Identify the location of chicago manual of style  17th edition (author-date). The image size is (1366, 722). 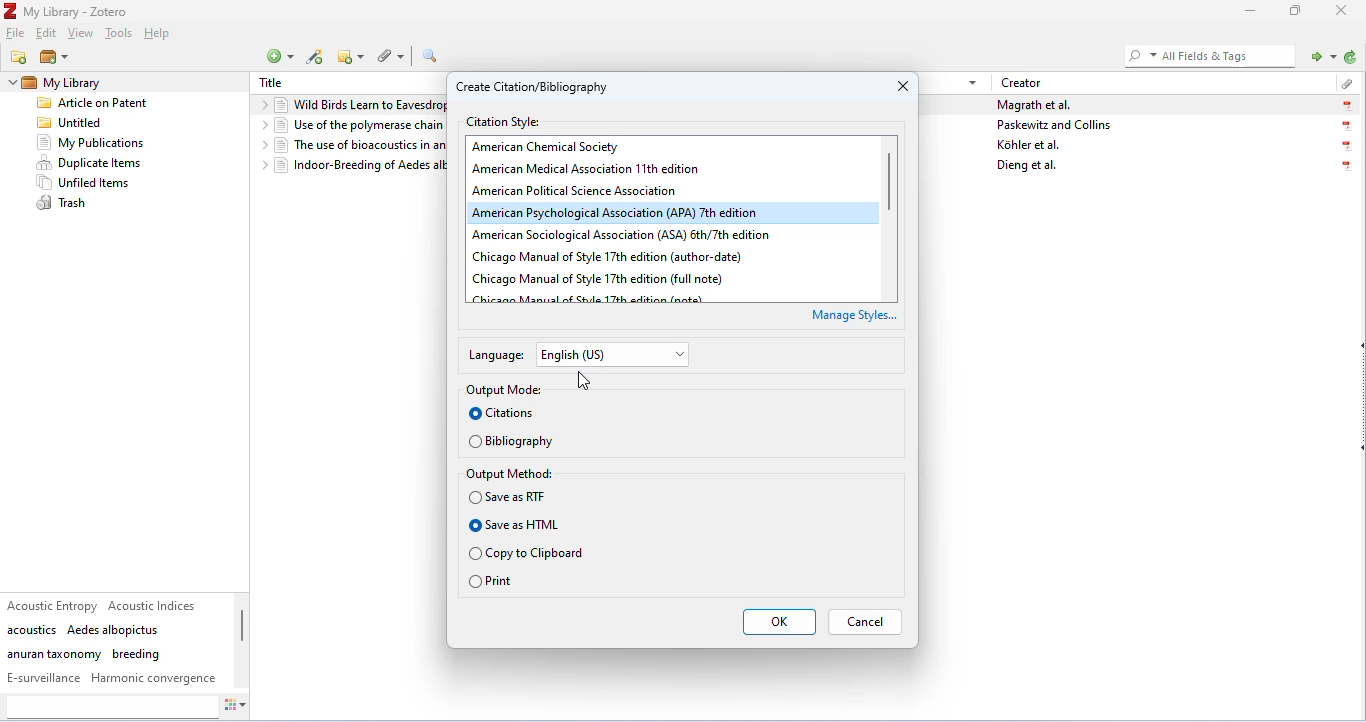
(612, 256).